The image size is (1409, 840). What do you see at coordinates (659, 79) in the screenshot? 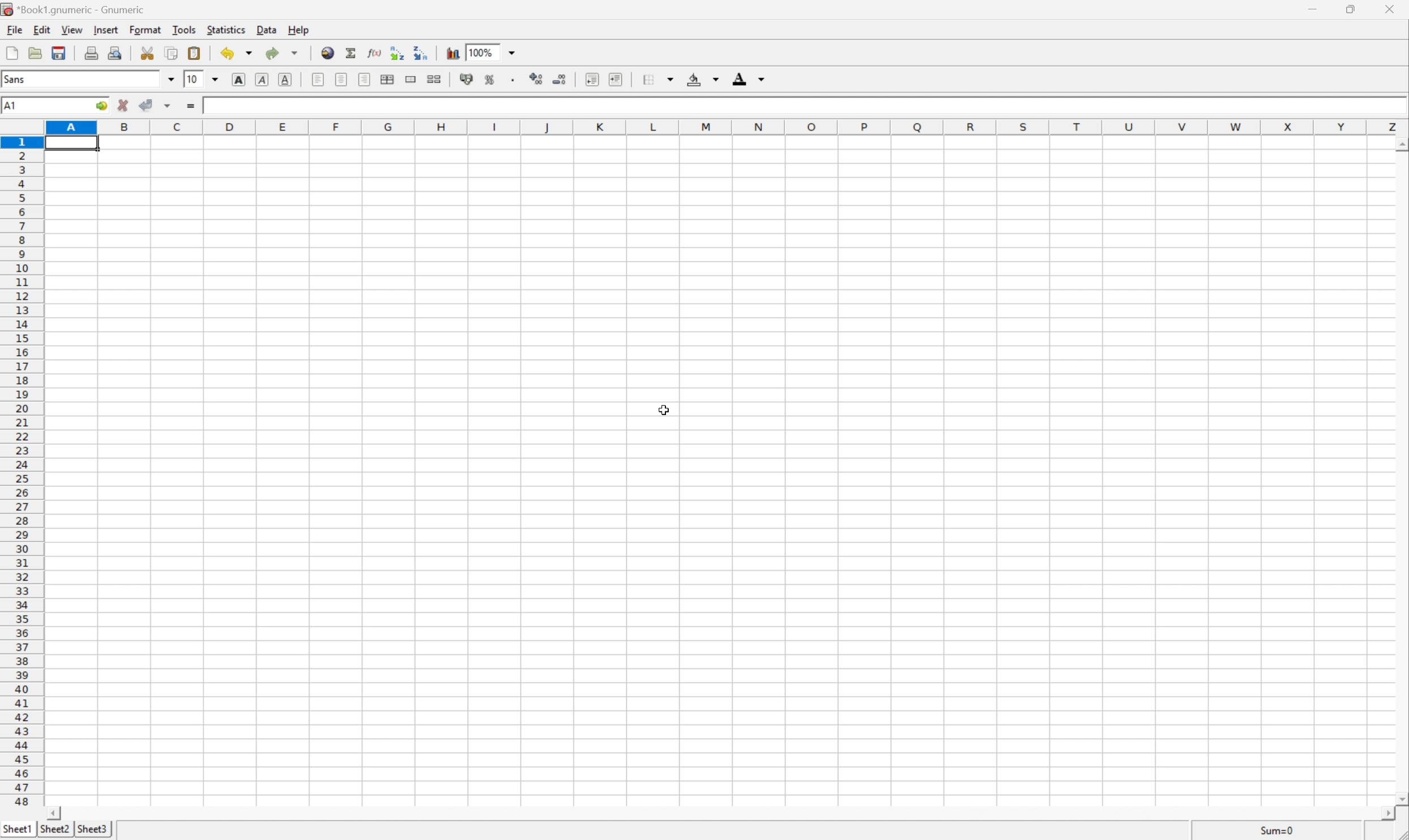
I see `Borders` at bounding box center [659, 79].